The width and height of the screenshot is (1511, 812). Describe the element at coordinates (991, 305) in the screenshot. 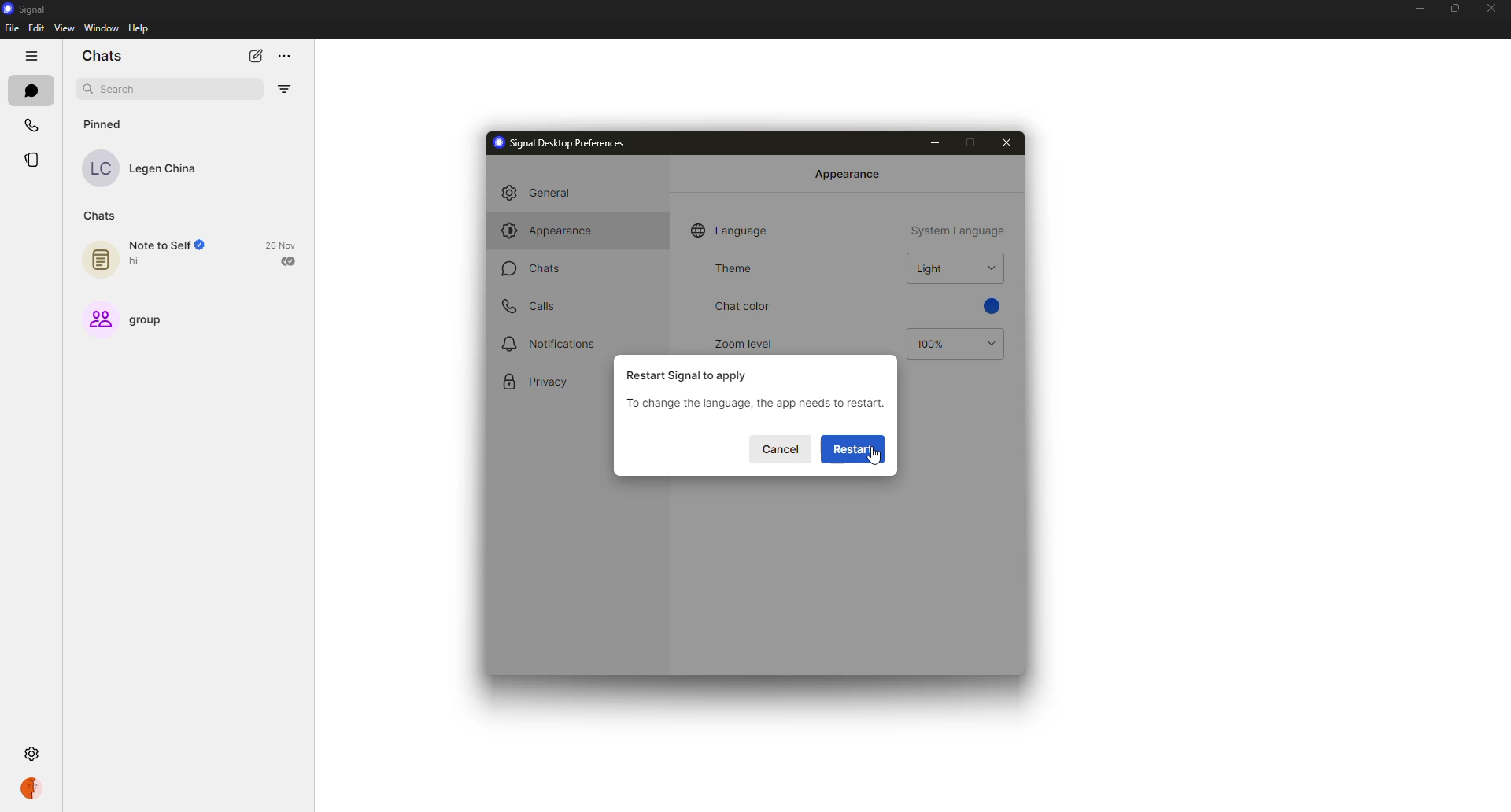

I see `blue` at that location.